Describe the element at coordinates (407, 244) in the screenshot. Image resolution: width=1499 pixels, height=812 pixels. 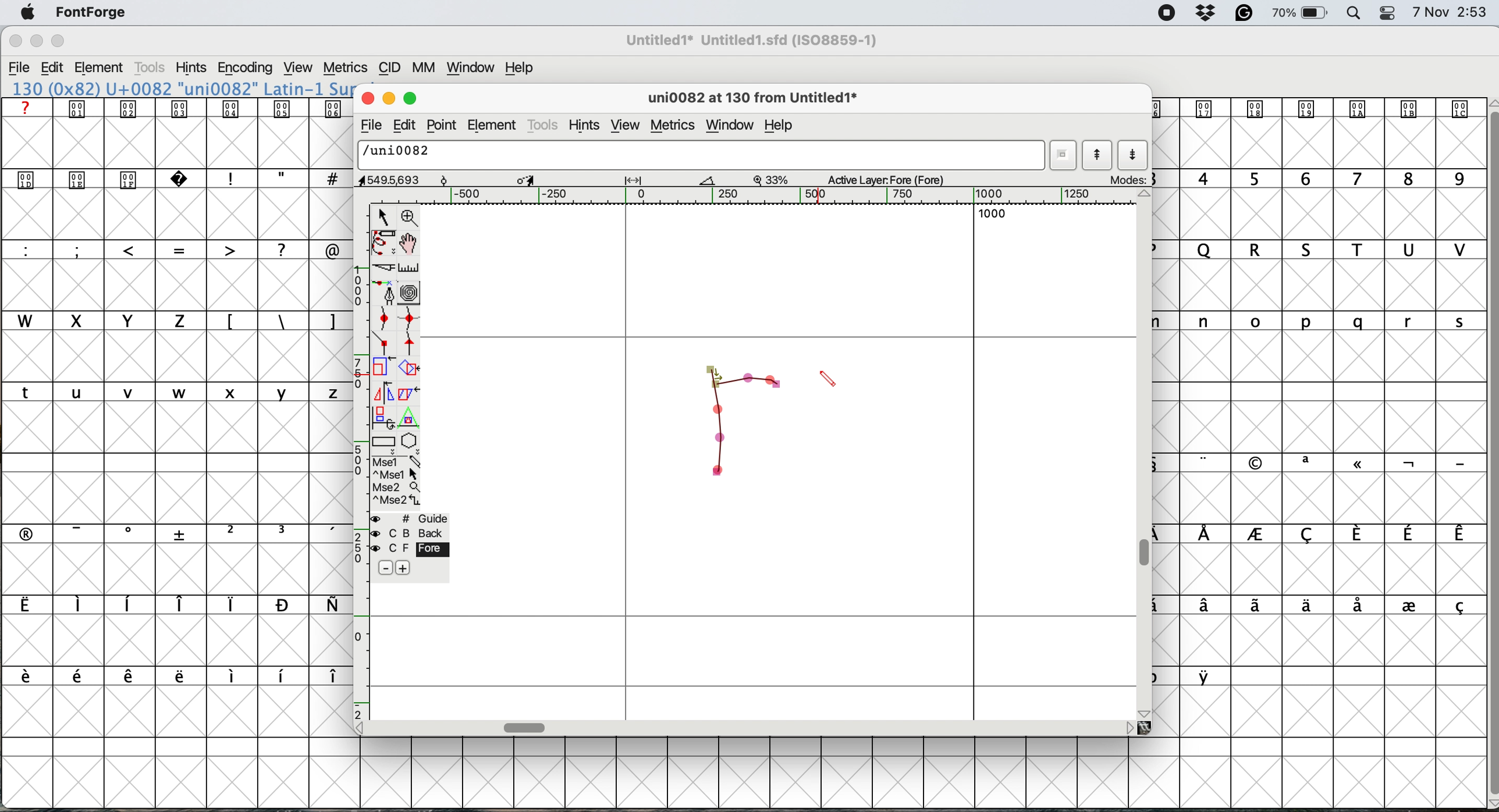
I see `scroll by hand` at that location.